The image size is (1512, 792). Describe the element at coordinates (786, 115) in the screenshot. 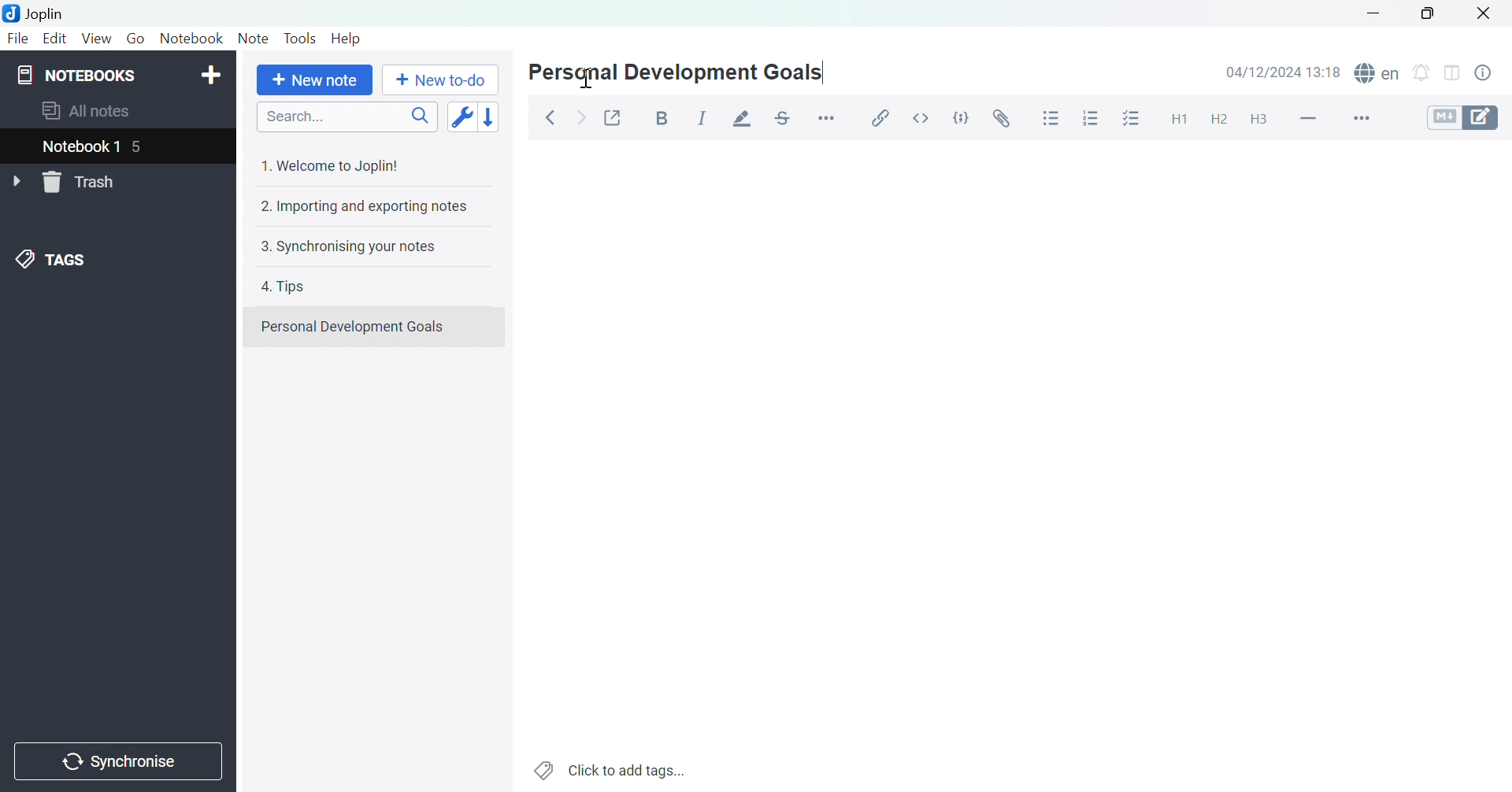

I see `Strikethrough` at that location.